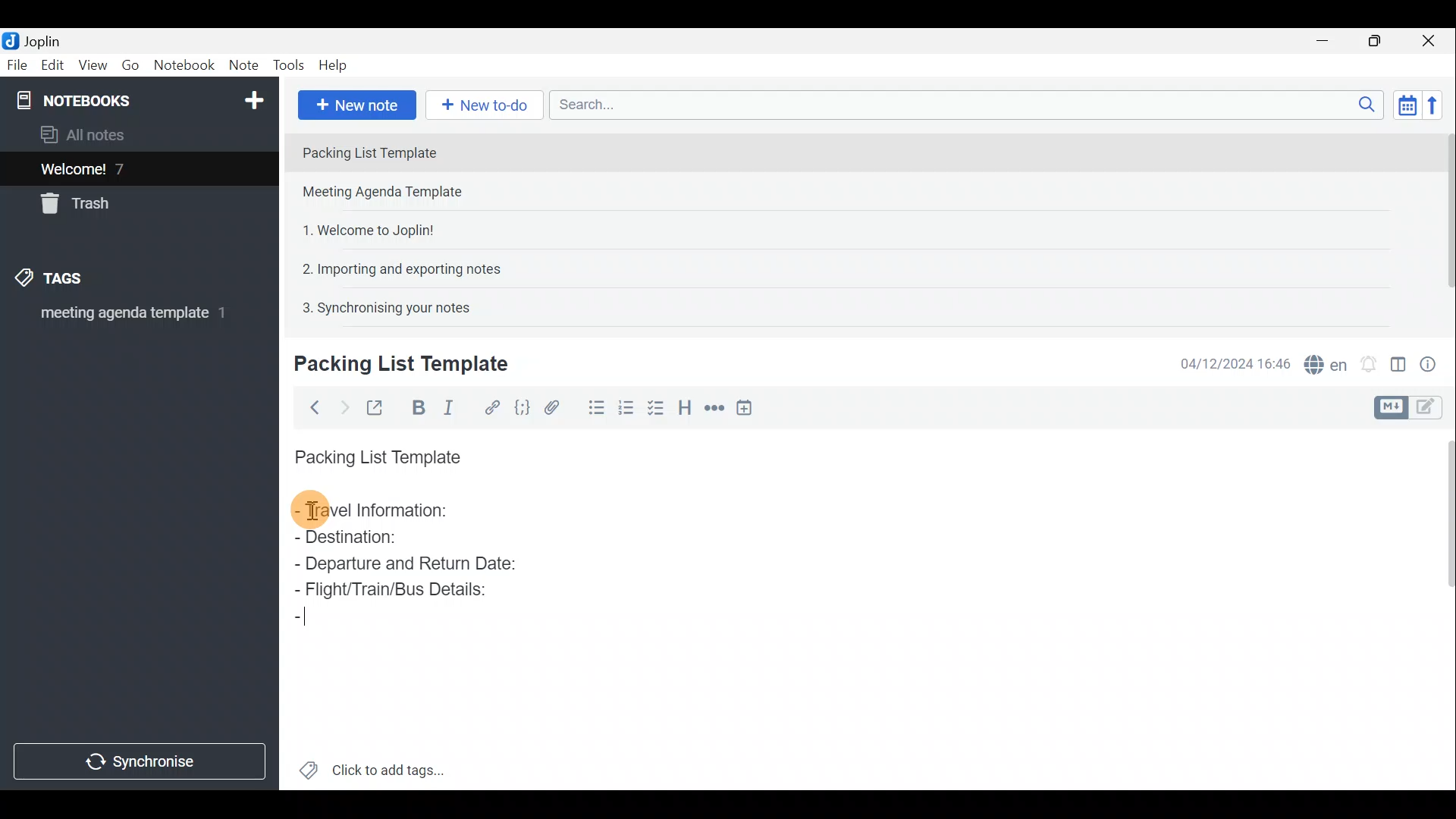  What do you see at coordinates (15, 64) in the screenshot?
I see `File` at bounding box center [15, 64].